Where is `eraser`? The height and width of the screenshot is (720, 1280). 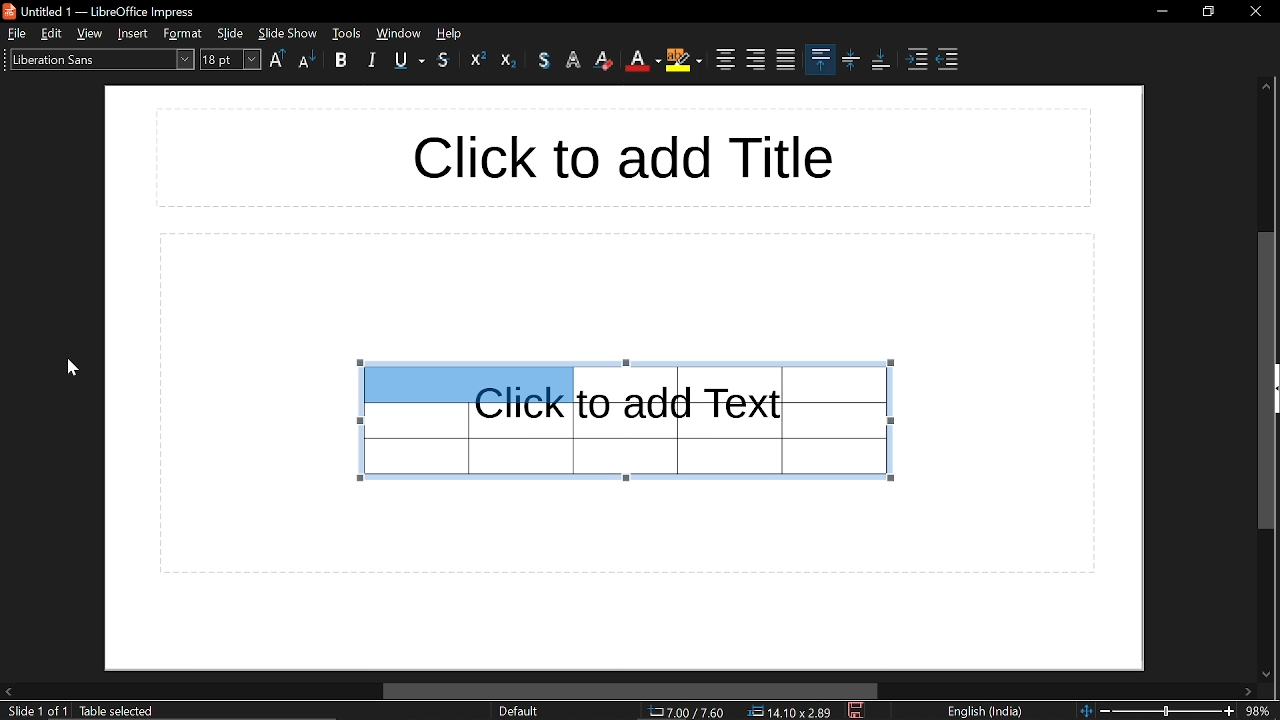
eraser is located at coordinates (606, 60).